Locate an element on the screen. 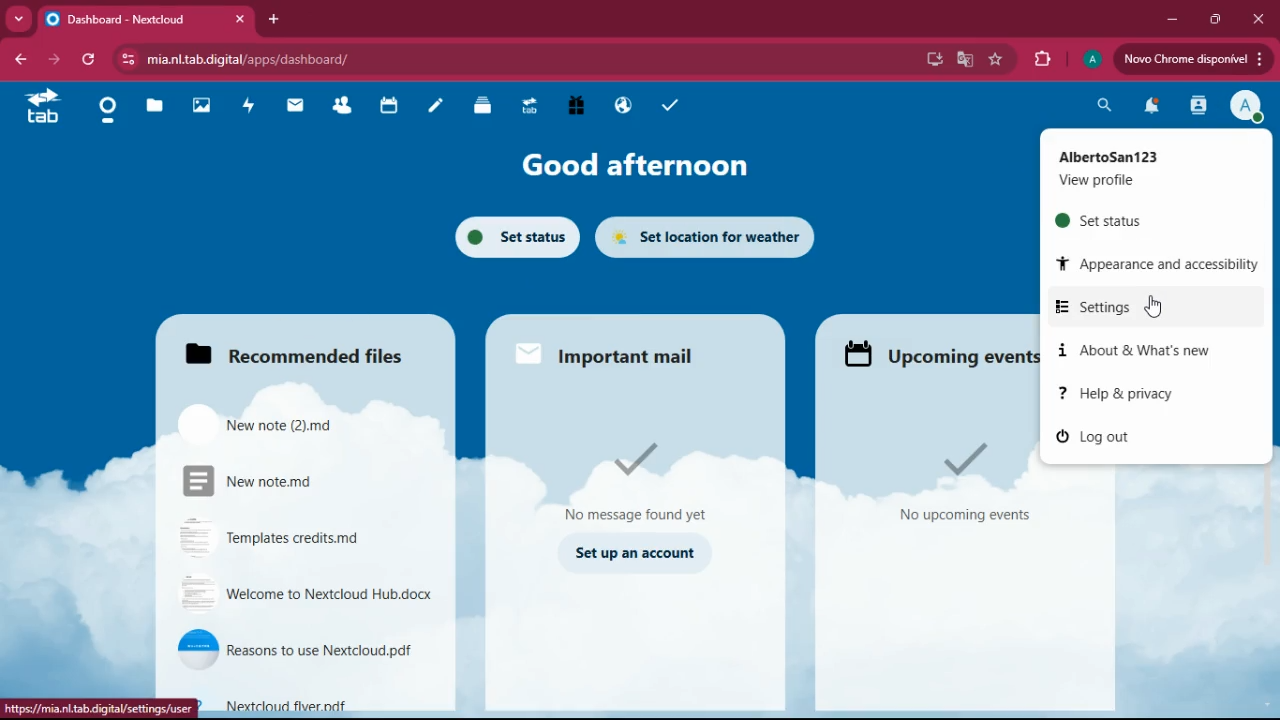 The image size is (1280, 720). home is located at coordinates (109, 112).